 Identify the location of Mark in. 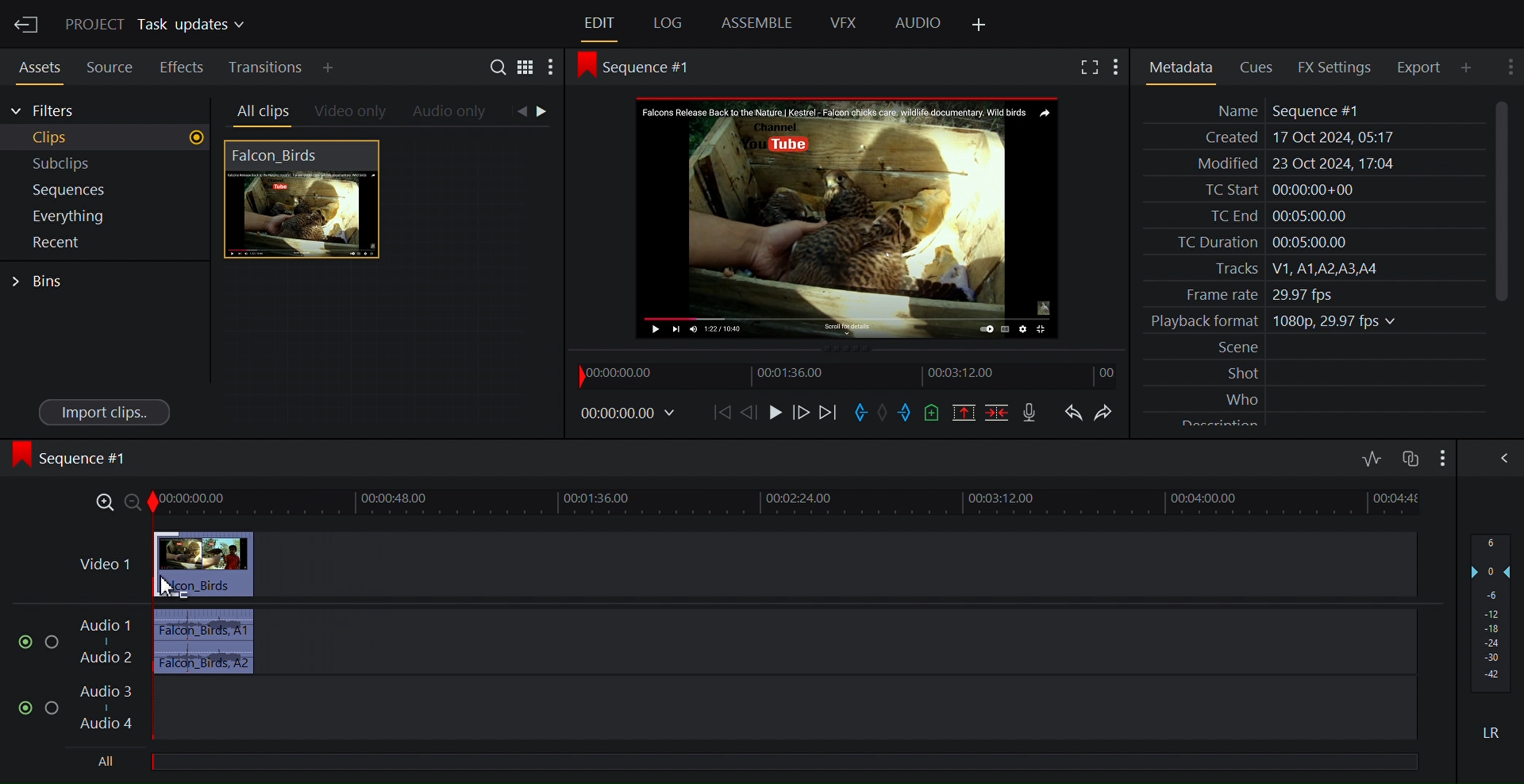
(860, 413).